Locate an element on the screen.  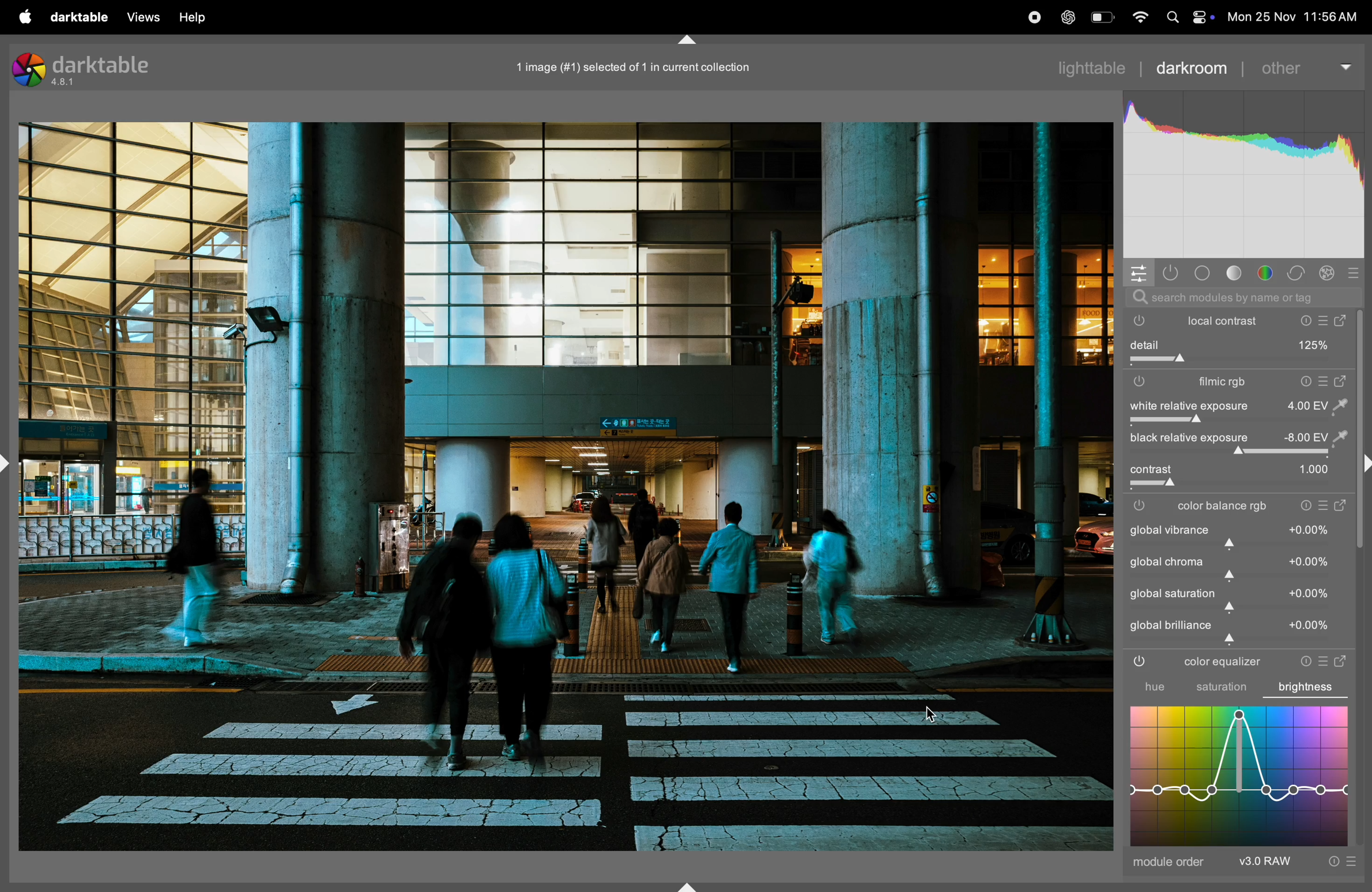
global chrome is located at coordinates (1167, 562).